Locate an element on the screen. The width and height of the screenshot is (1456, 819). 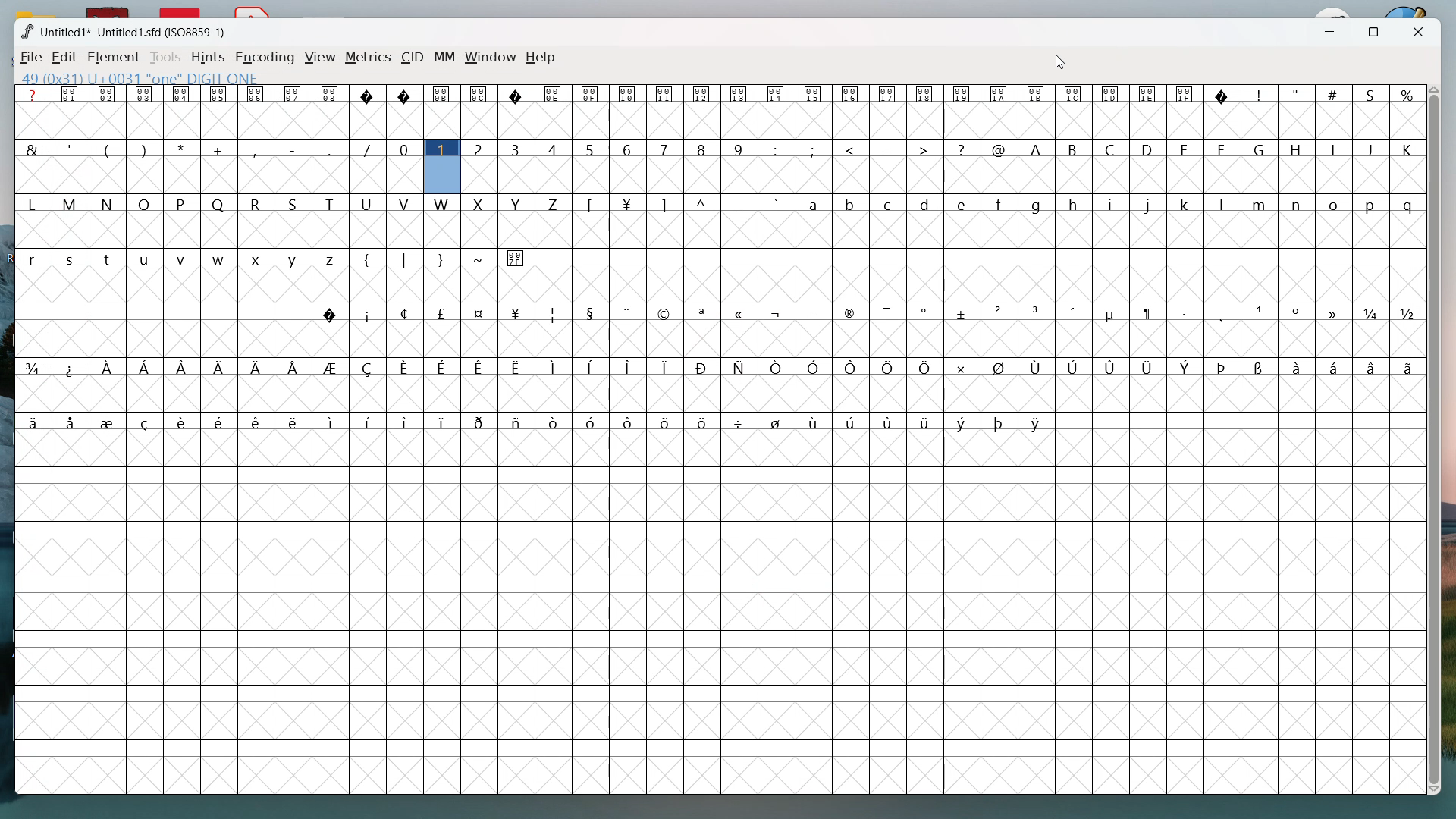
symbol is located at coordinates (962, 94).